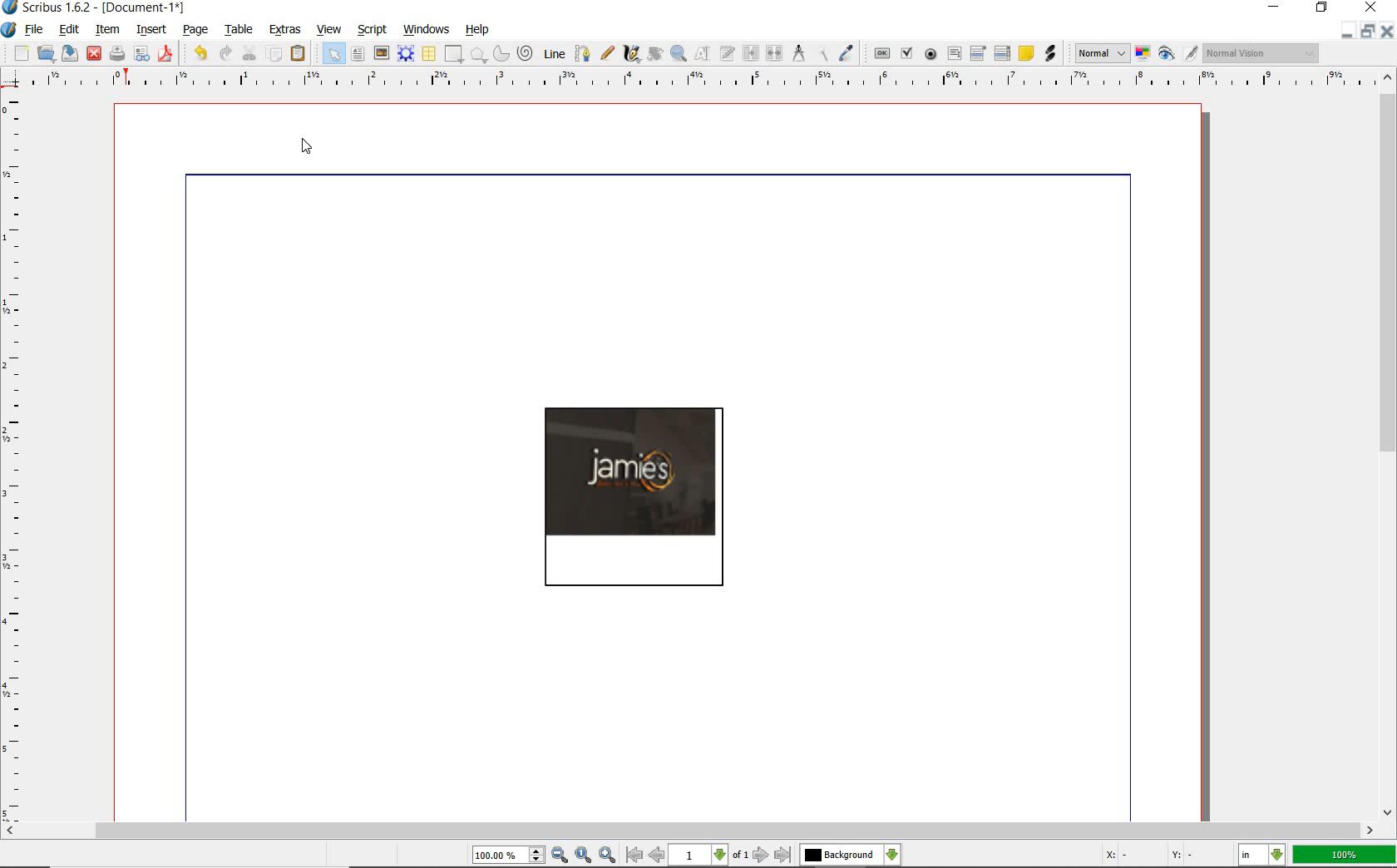 Image resolution: width=1397 pixels, height=868 pixels. I want to click on select the current unit: in, so click(1261, 853).